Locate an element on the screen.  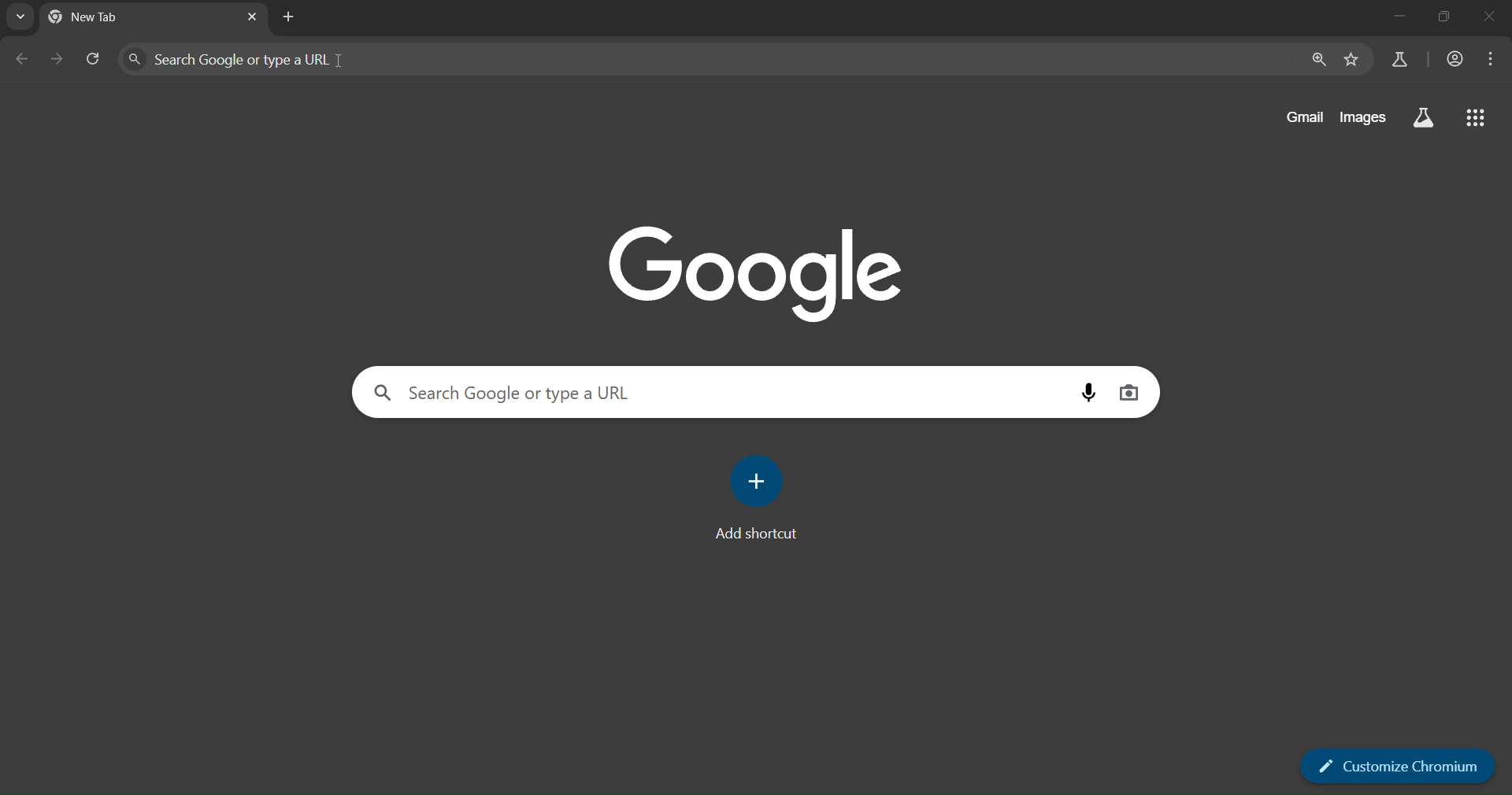
images is located at coordinates (1362, 117).